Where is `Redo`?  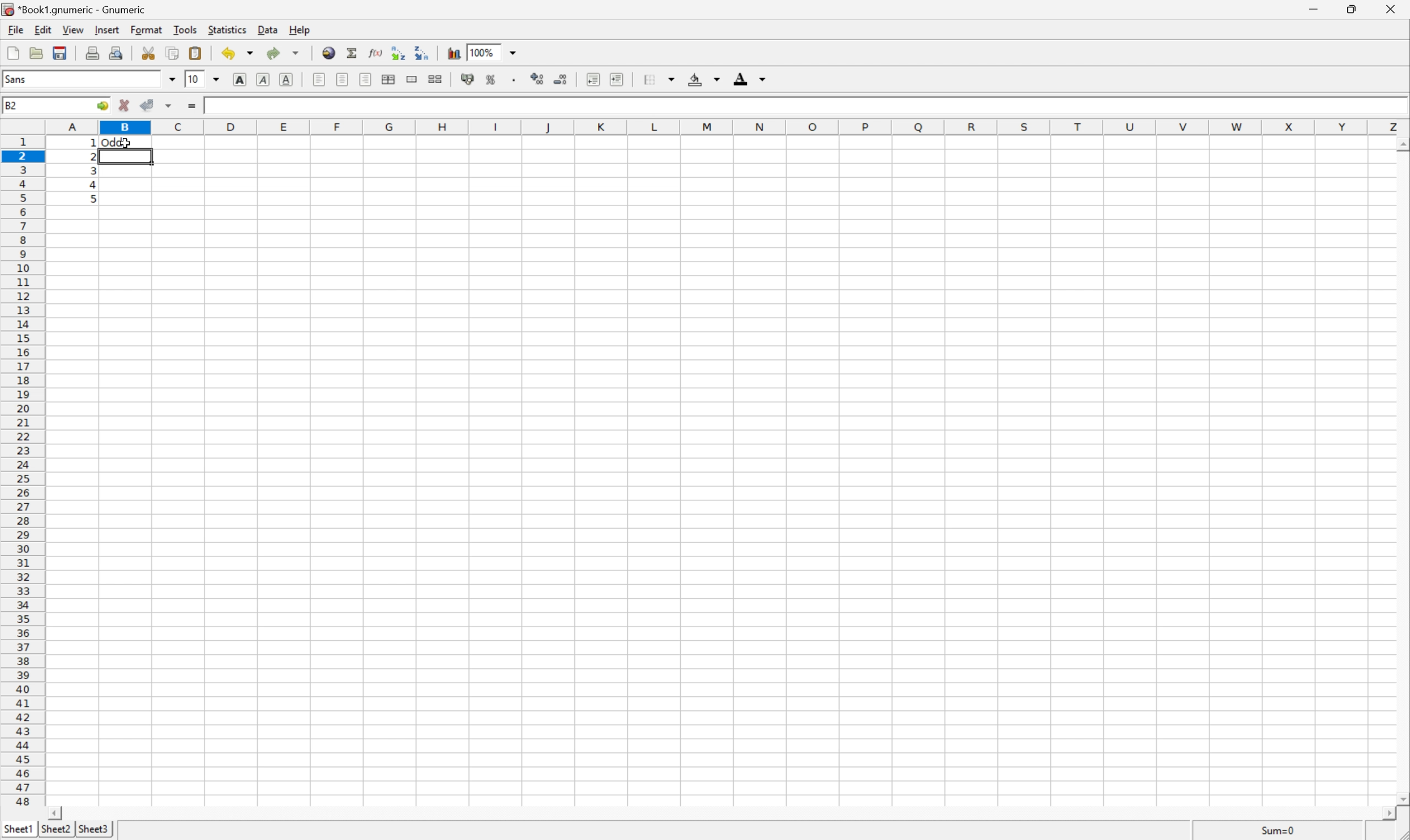 Redo is located at coordinates (288, 52).